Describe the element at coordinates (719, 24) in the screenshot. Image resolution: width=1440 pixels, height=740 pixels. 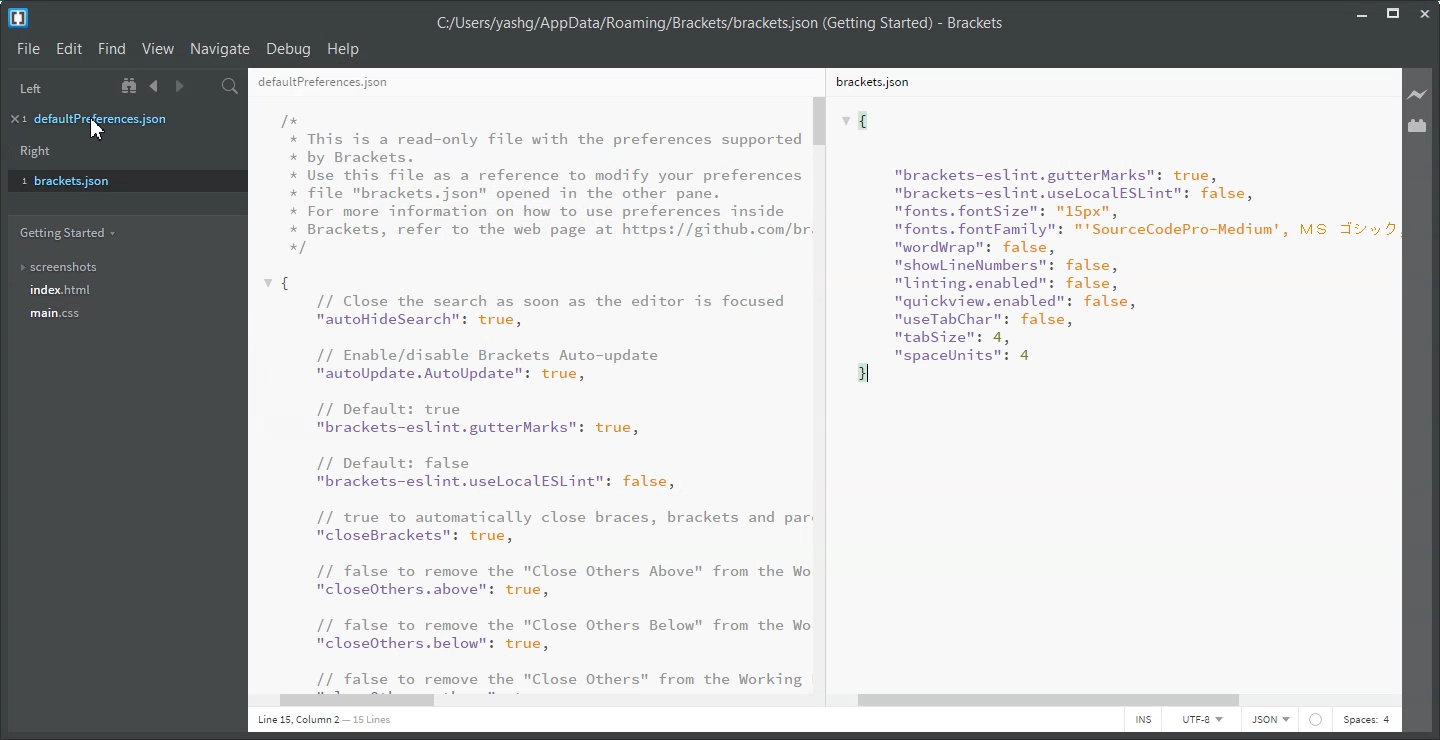
I see `Text` at that location.